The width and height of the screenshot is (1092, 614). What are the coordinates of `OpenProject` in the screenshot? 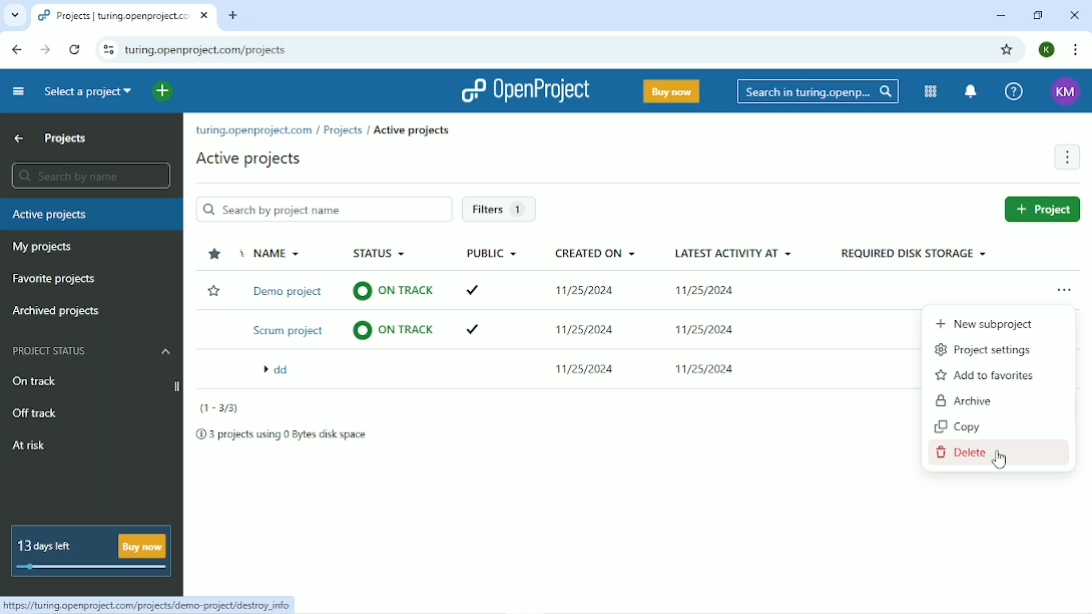 It's located at (525, 90).